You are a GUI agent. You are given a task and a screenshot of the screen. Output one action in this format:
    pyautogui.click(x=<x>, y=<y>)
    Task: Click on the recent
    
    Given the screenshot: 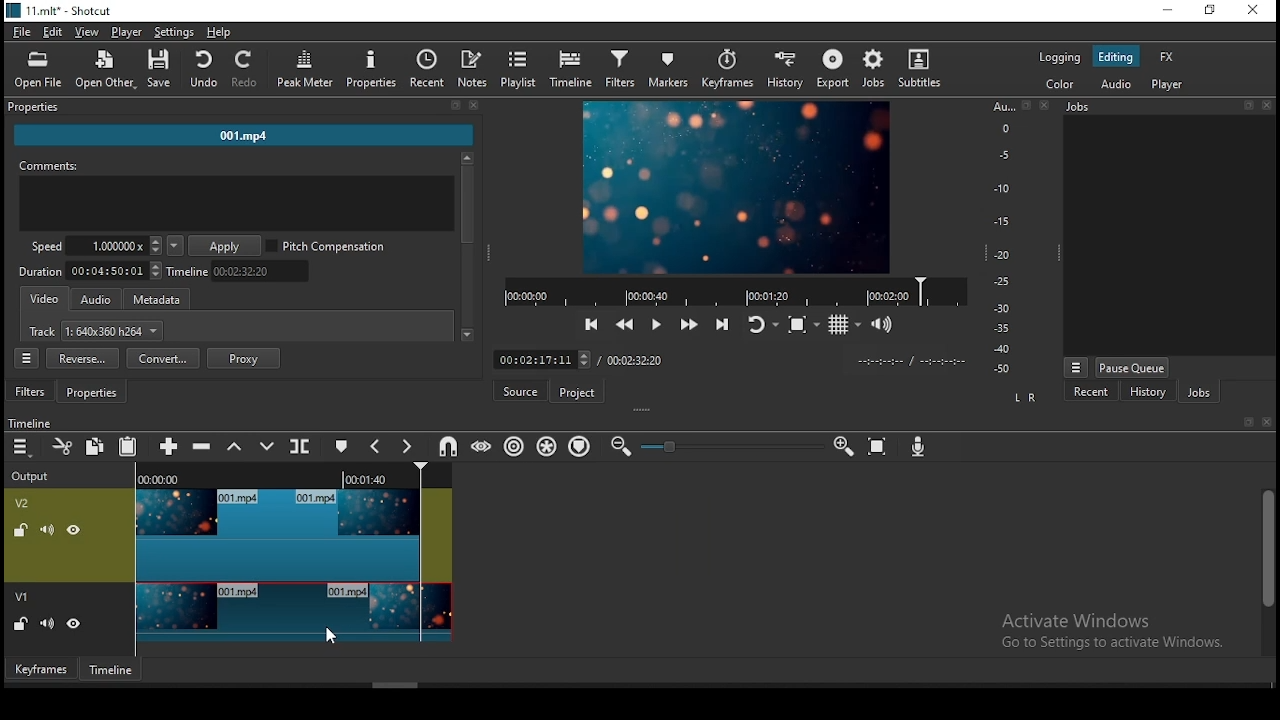 What is the action you would take?
    pyautogui.click(x=1093, y=394)
    